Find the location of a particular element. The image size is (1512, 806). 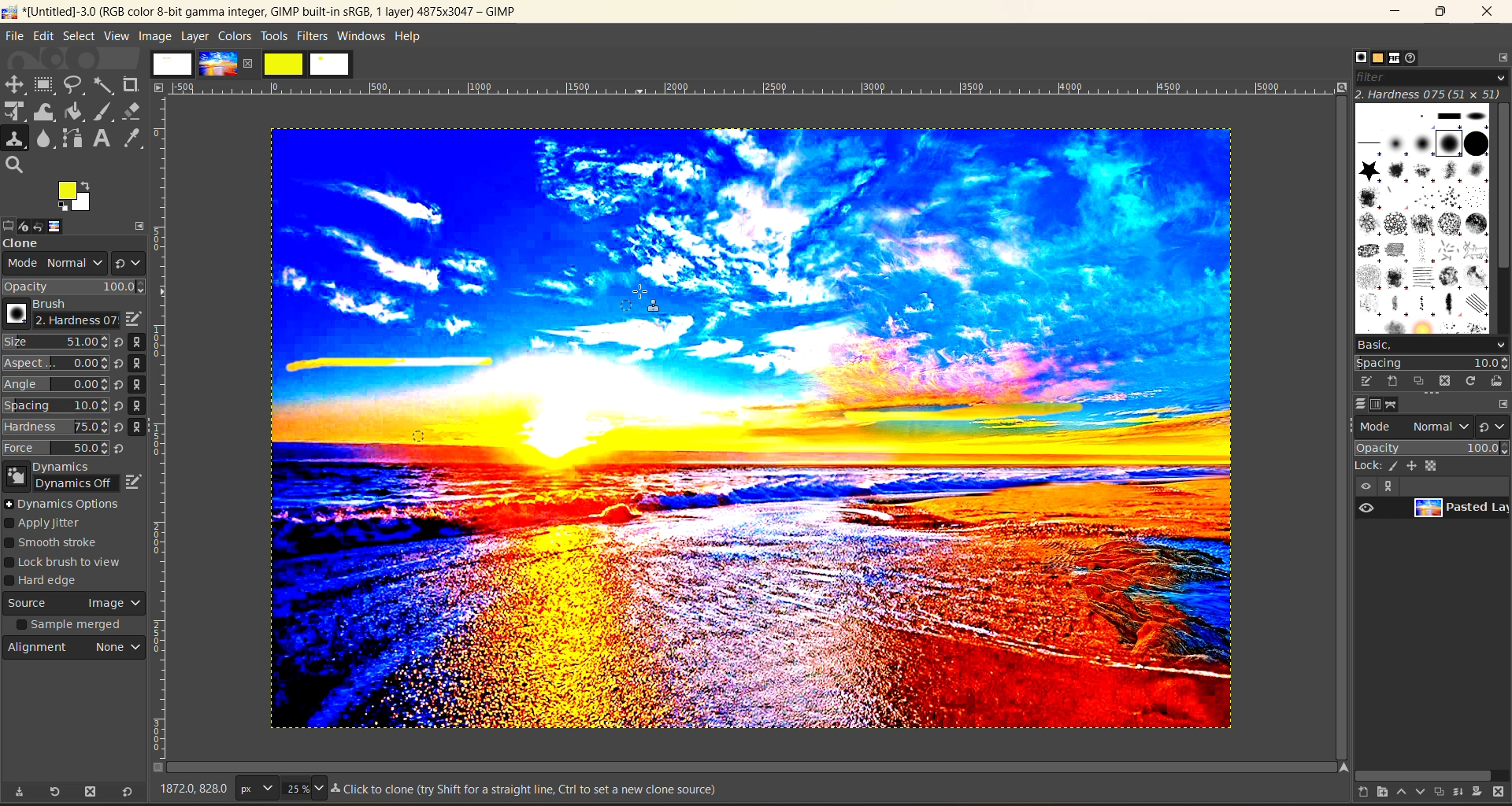

apply jitter is located at coordinates (54, 524).